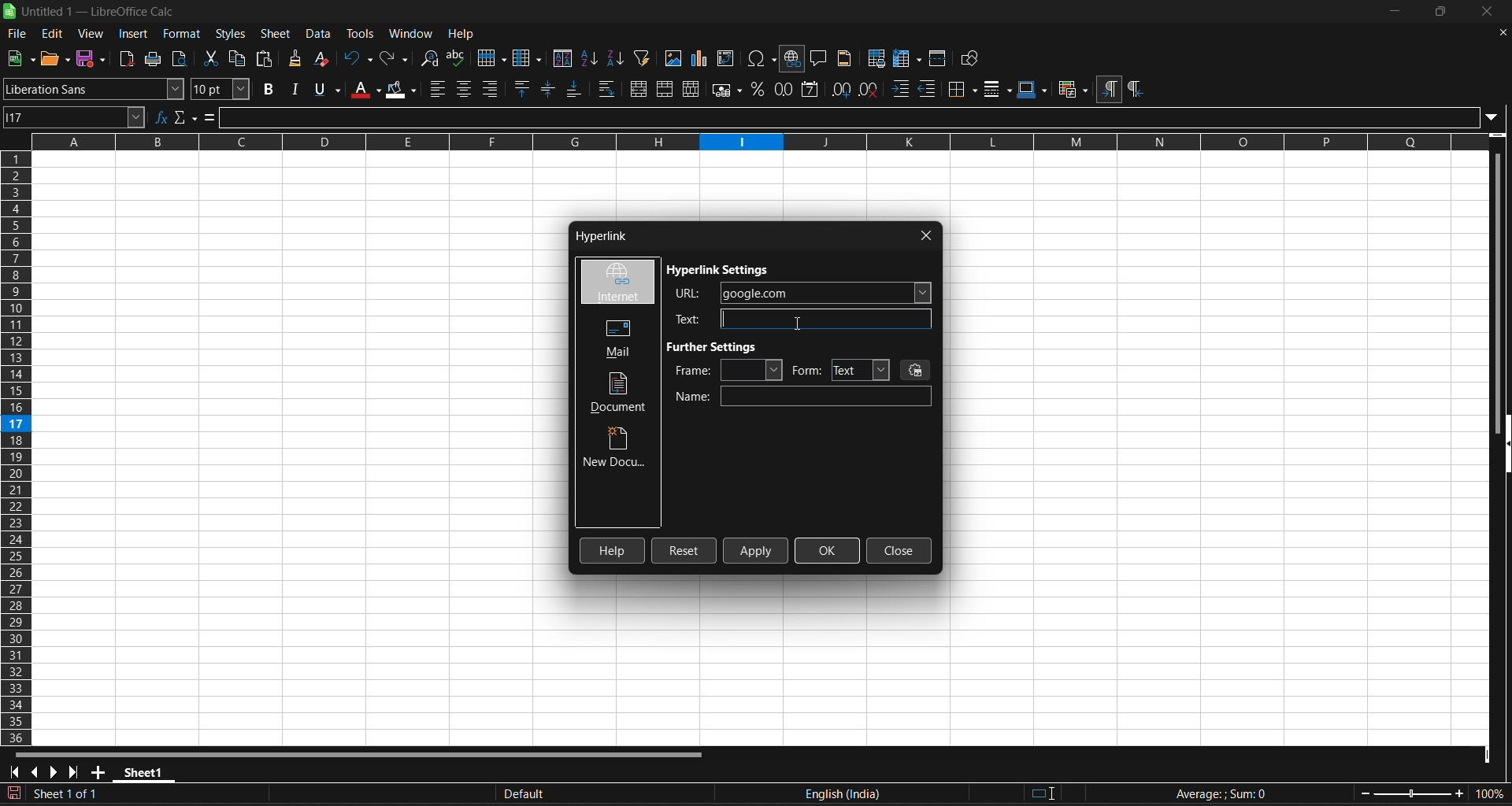 This screenshot has height=806, width=1512. Describe the element at coordinates (183, 59) in the screenshot. I see `toggle print preview` at that location.